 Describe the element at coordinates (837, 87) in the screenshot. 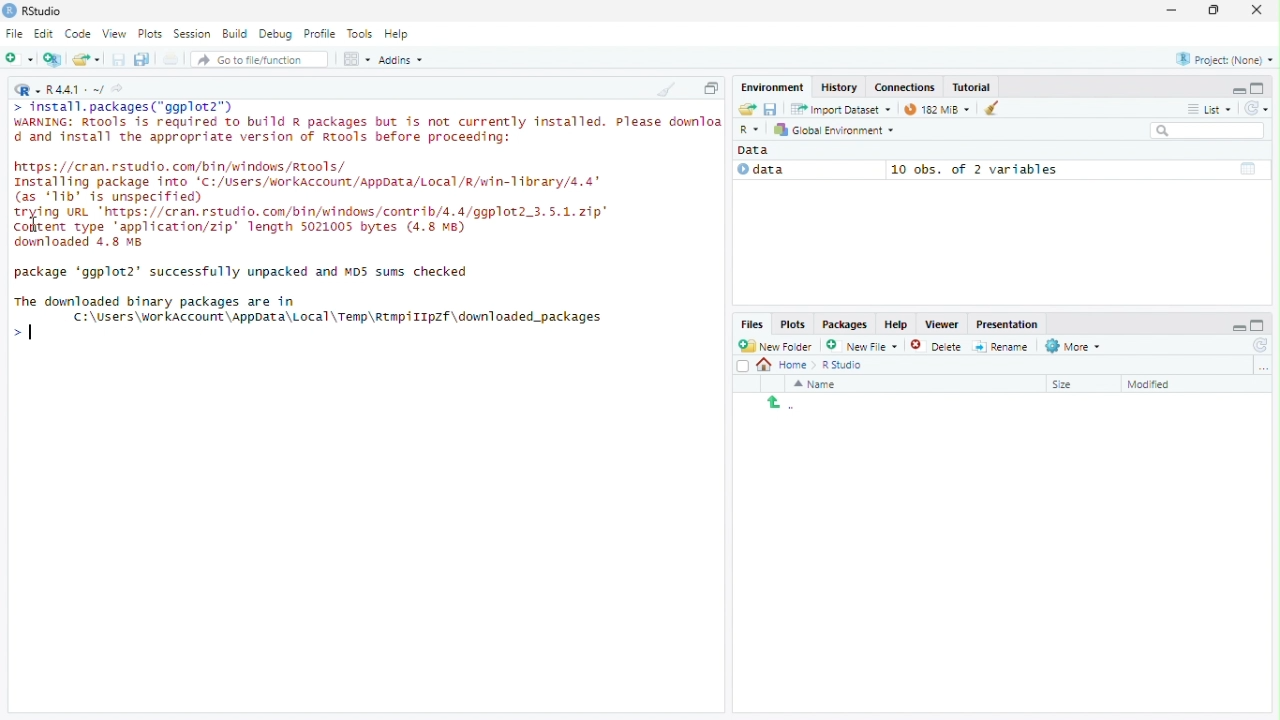

I see `History` at that location.